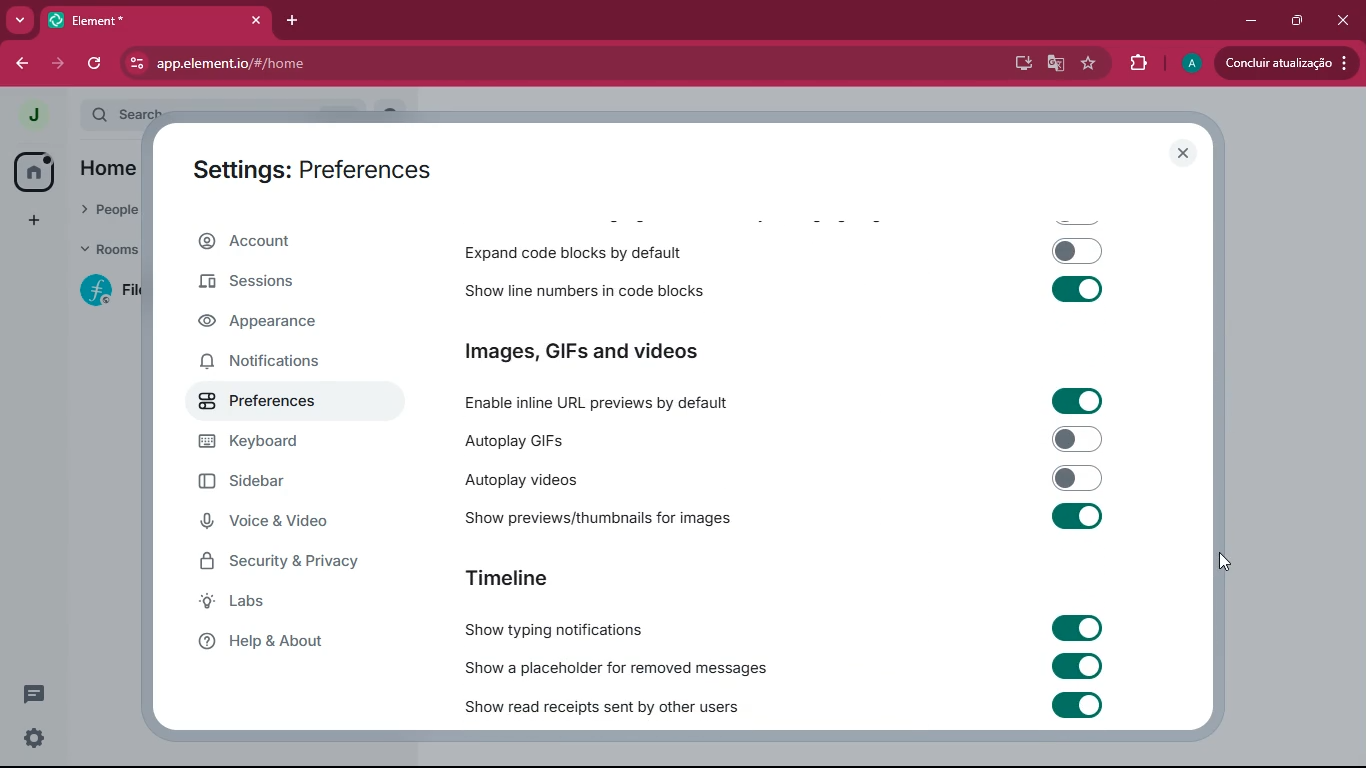  Describe the element at coordinates (277, 444) in the screenshot. I see `keyboard` at that location.